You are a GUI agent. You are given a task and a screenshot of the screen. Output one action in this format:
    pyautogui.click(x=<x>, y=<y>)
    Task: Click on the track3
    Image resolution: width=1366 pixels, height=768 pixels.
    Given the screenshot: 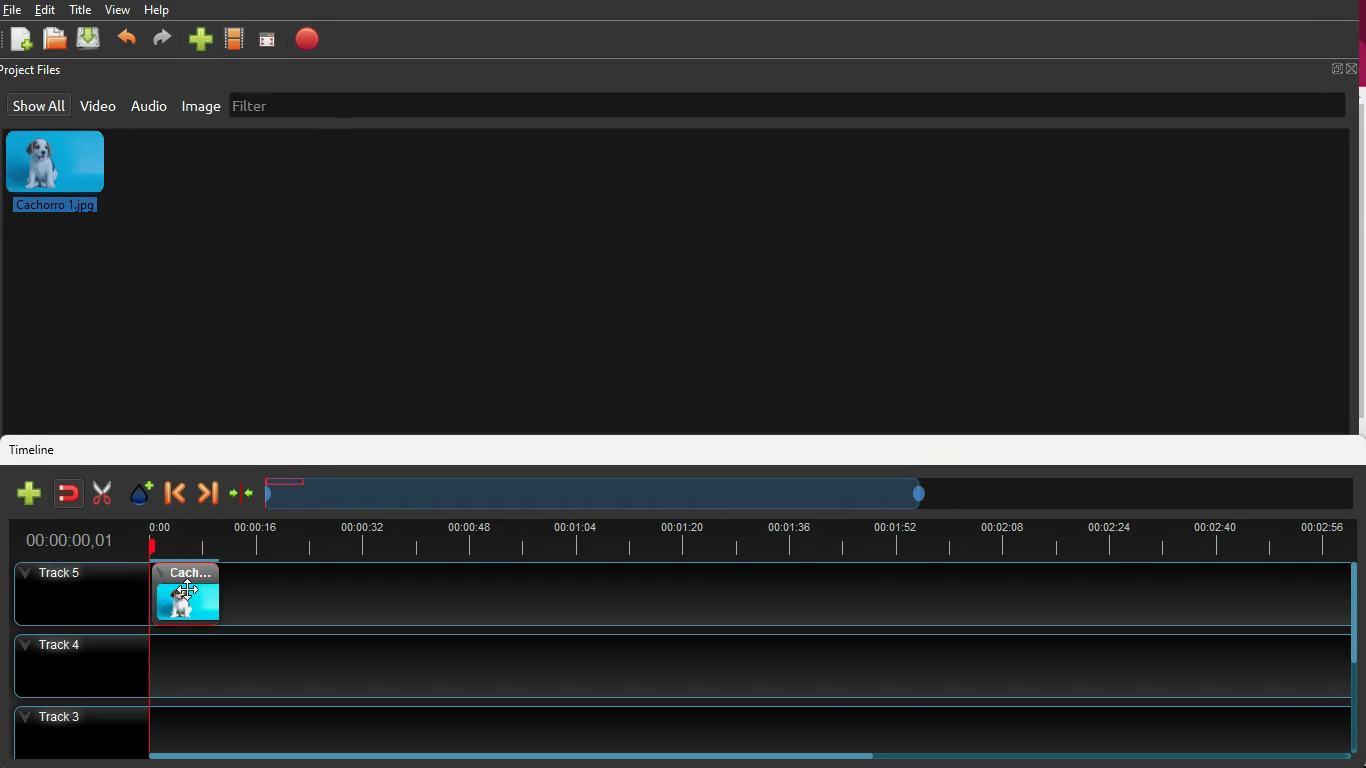 What is the action you would take?
    pyautogui.click(x=677, y=726)
    